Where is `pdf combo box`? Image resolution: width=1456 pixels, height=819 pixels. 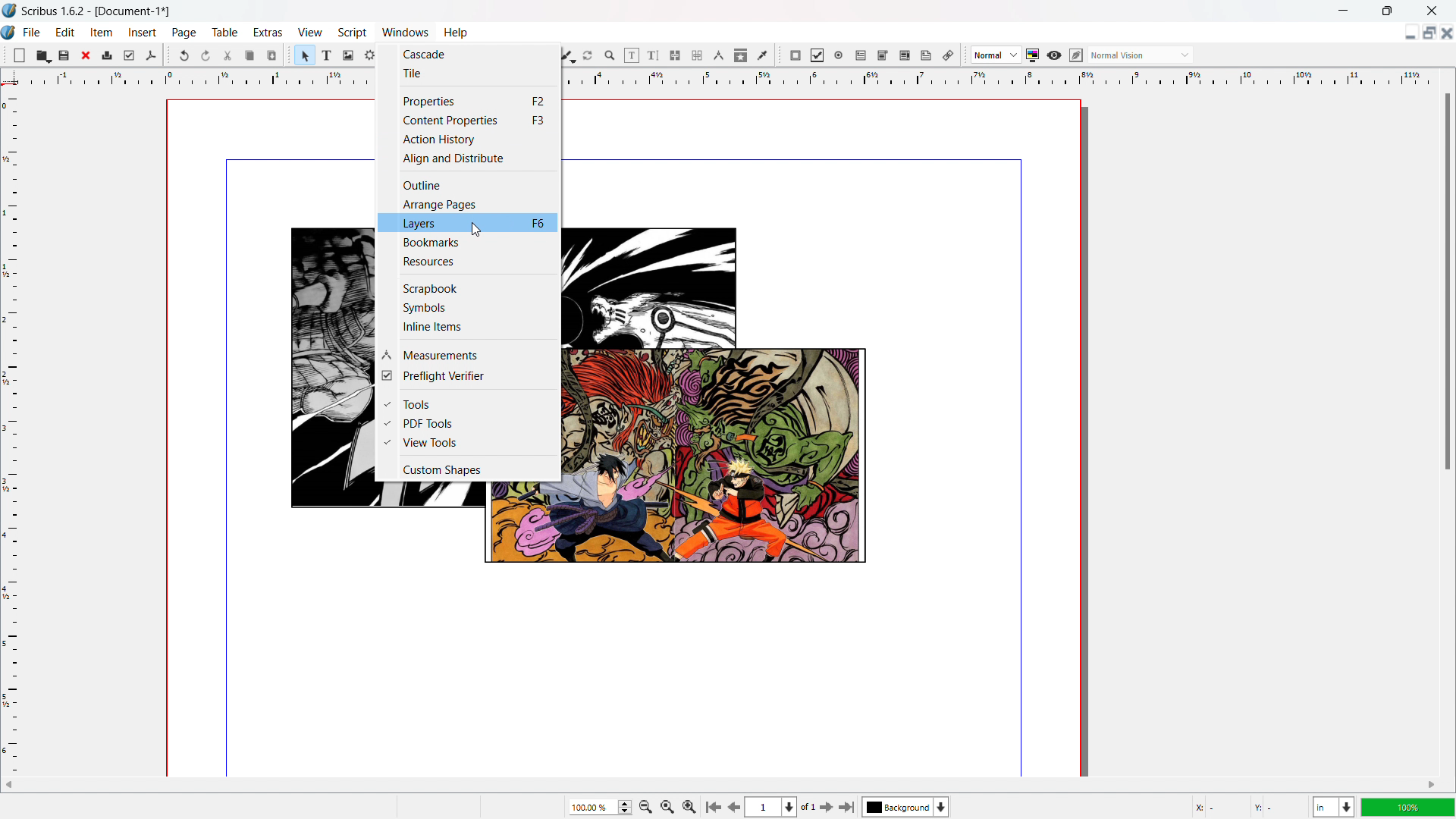 pdf combo box is located at coordinates (883, 55).